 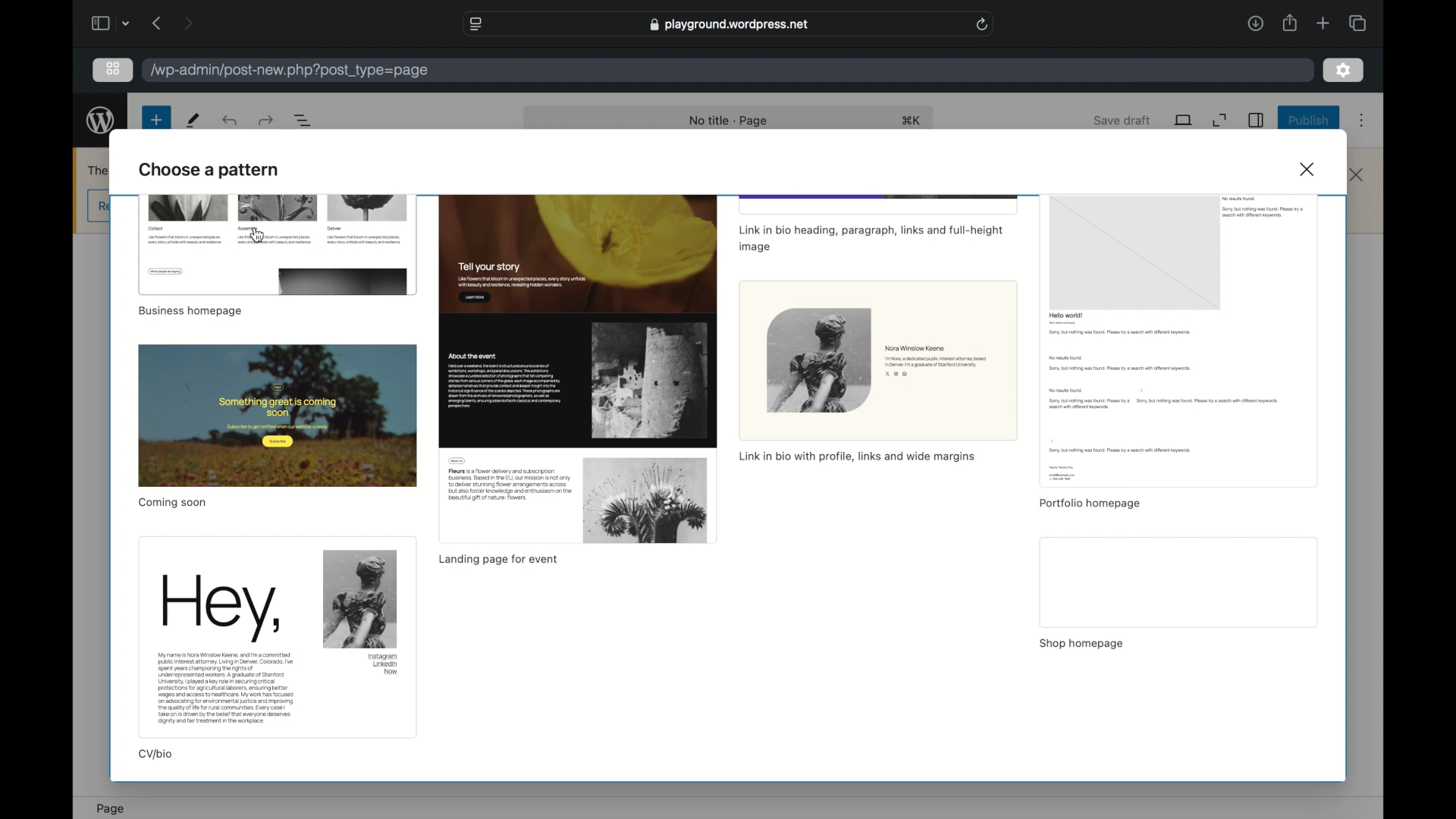 I want to click on previous page, so click(x=155, y=23).